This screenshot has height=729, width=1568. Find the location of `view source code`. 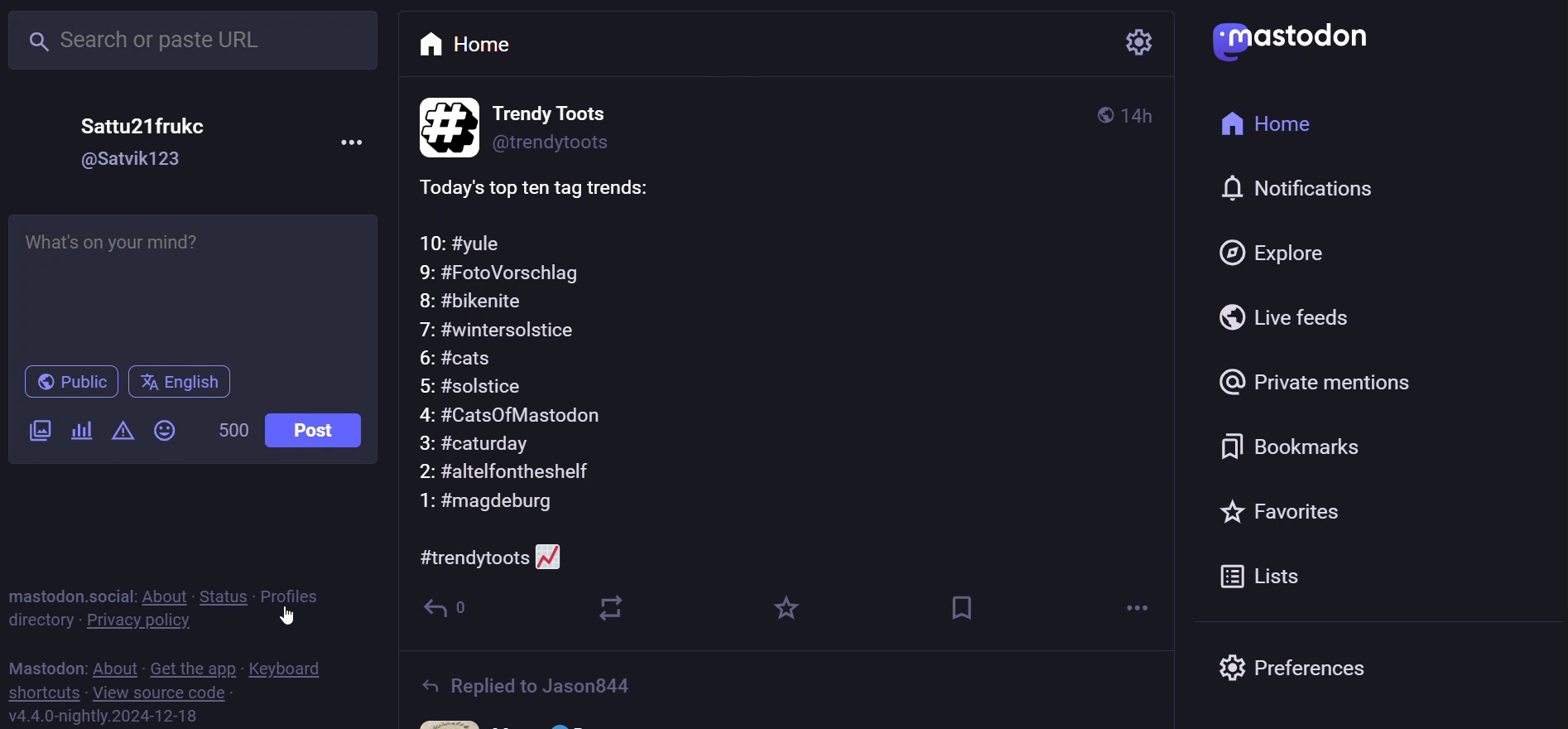

view source code is located at coordinates (171, 695).